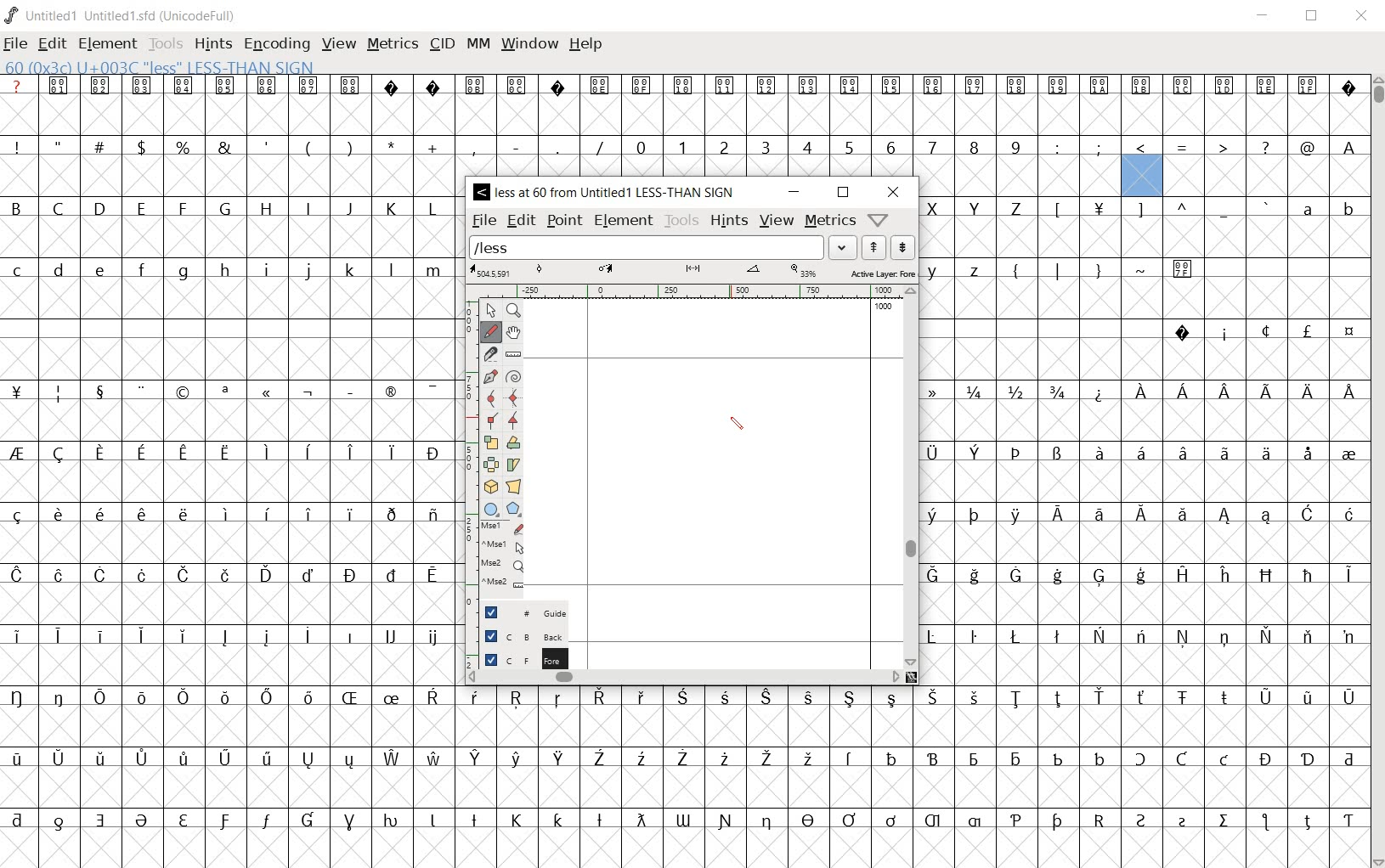 This screenshot has width=1385, height=868. Describe the element at coordinates (229, 300) in the screenshot. I see `empty cells` at that location.